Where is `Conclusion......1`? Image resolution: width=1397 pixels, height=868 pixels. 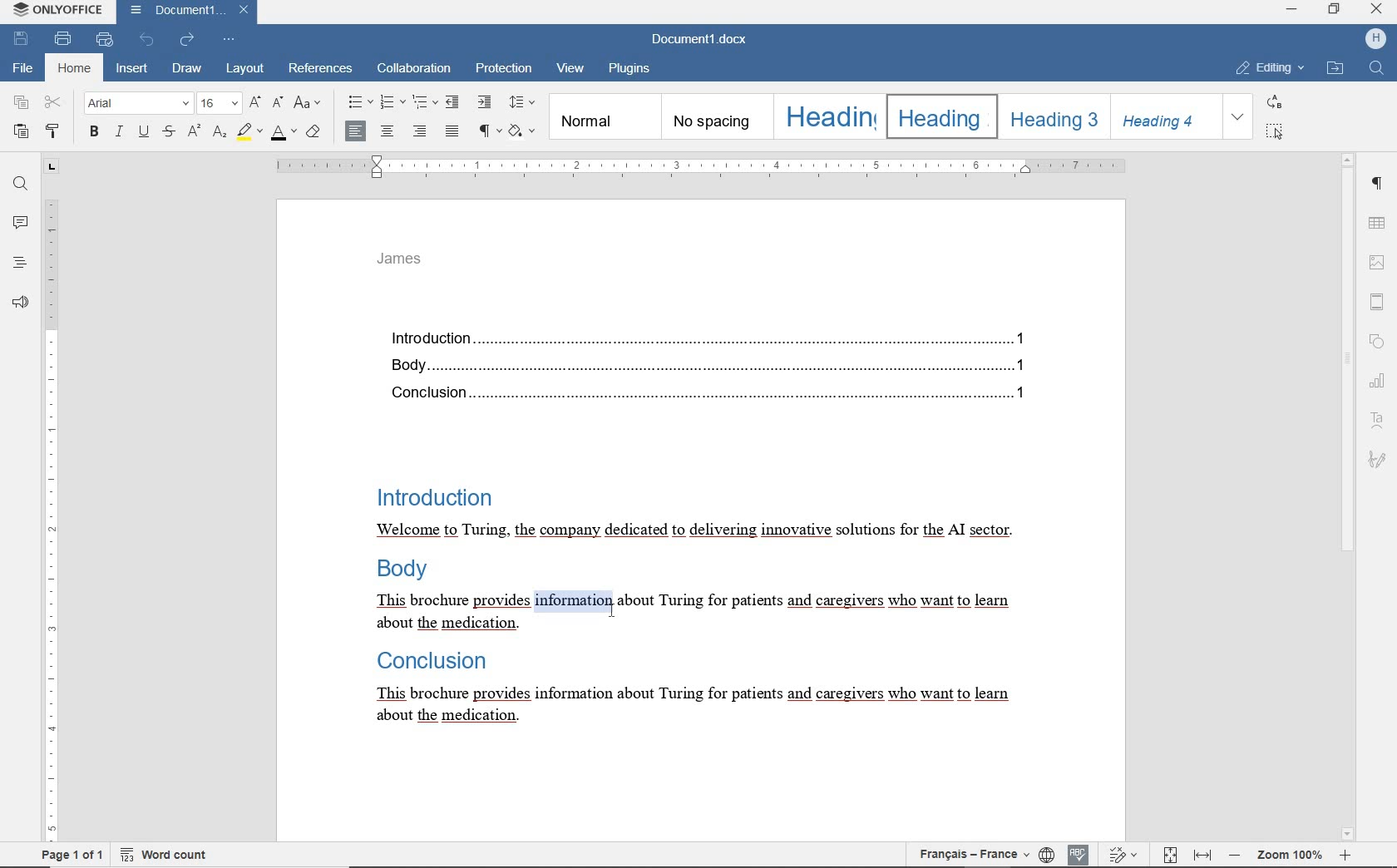 Conclusion......1 is located at coordinates (702, 394).